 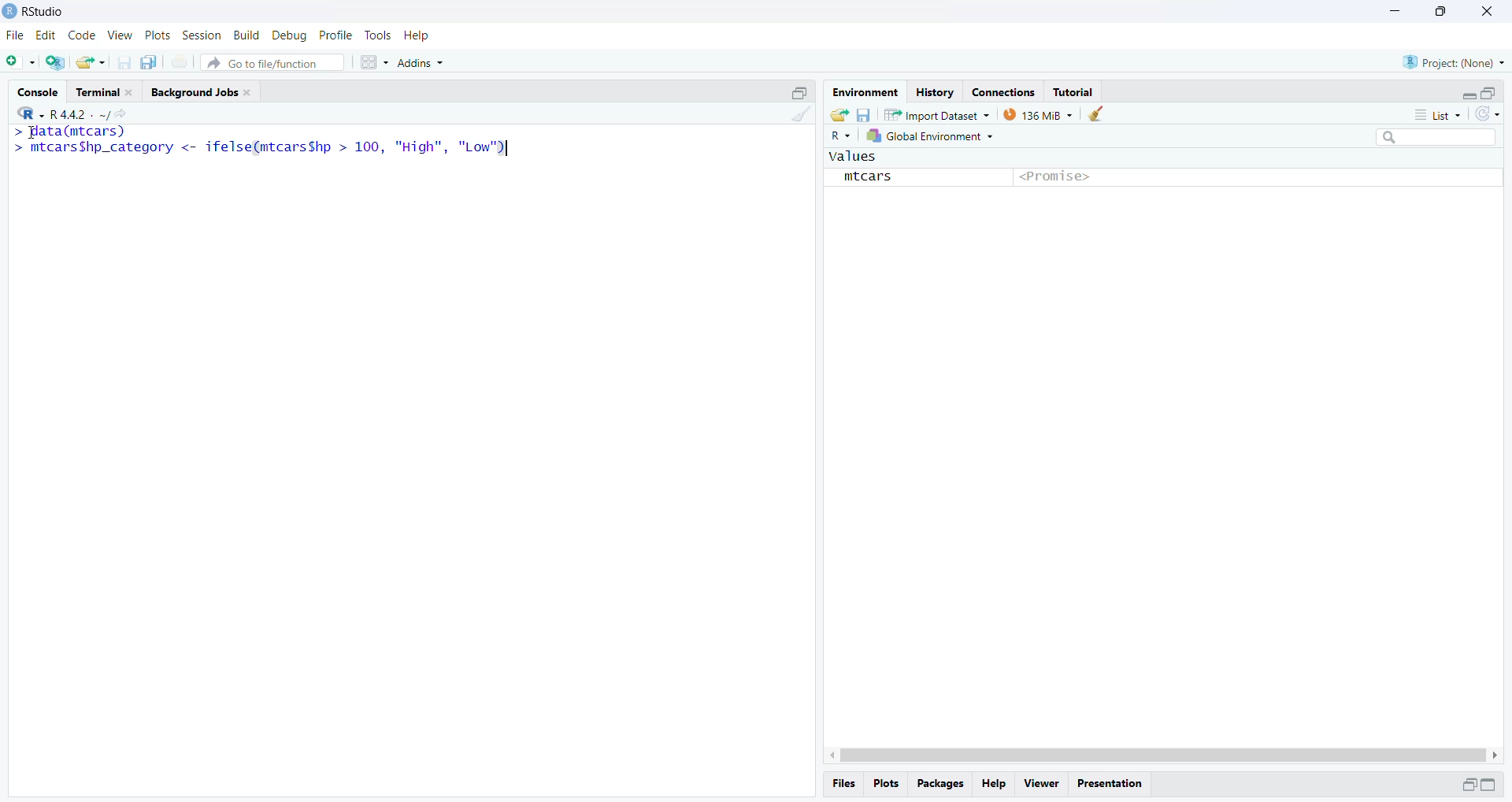 What do you see at coordinates (40, 91) in the screenshot?
I see `Console` at bounding box center [40, 91].